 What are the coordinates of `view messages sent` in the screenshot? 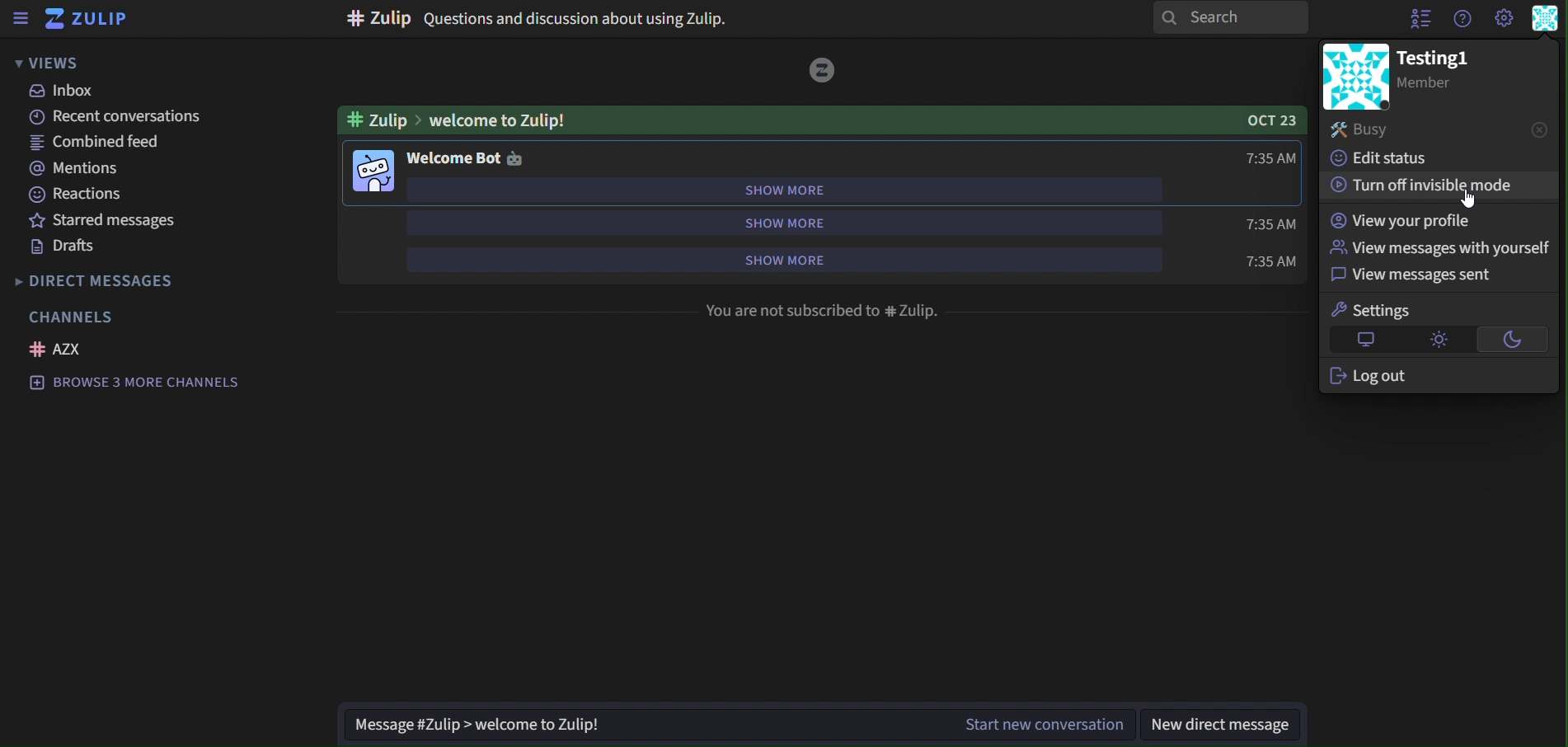 It's located at (1430, 275).